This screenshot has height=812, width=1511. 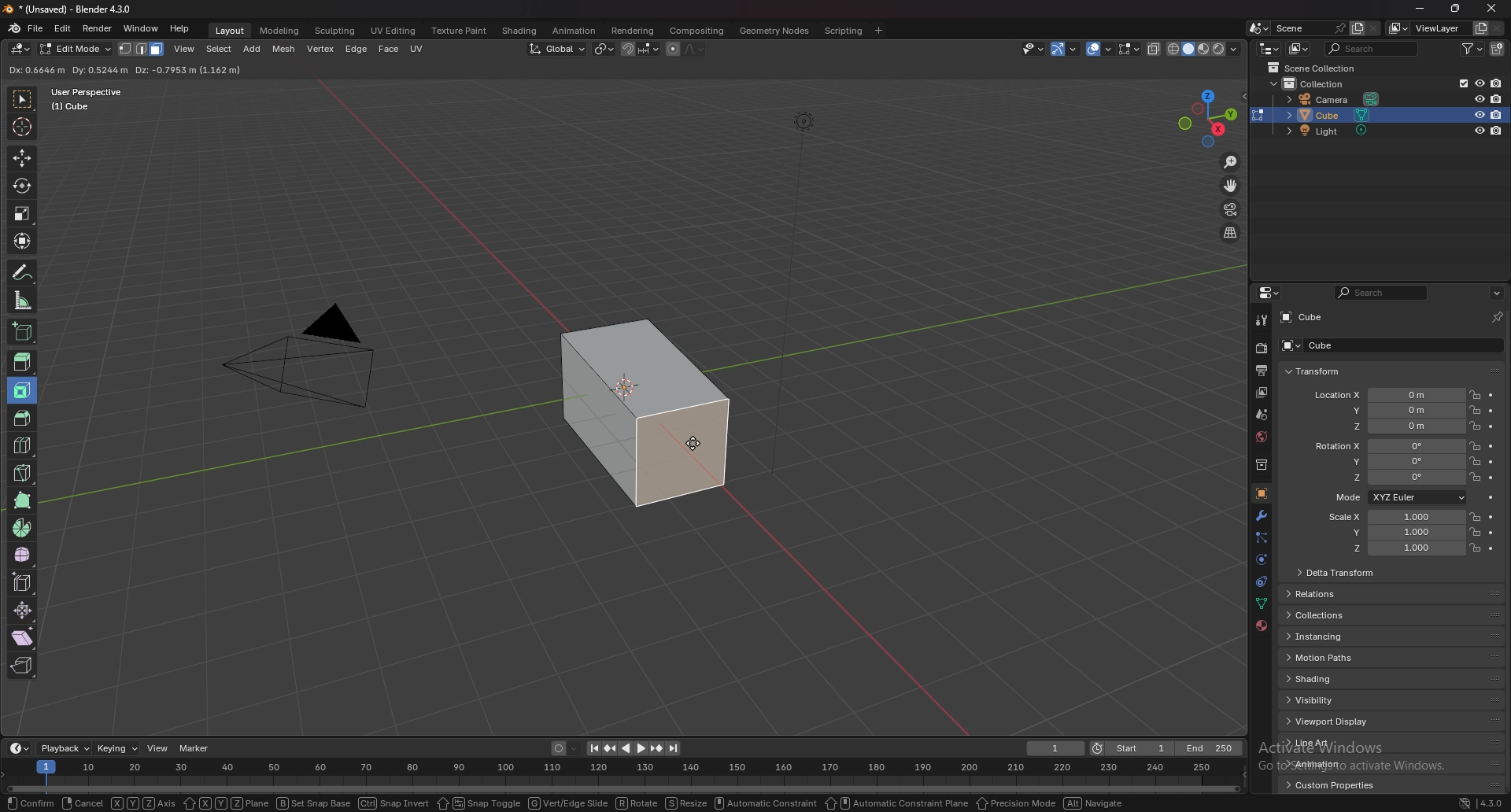 What do you see at coordinates (1373, 28) in the screenshot?
I see `remove scene` at bounding box center [1373, 28].